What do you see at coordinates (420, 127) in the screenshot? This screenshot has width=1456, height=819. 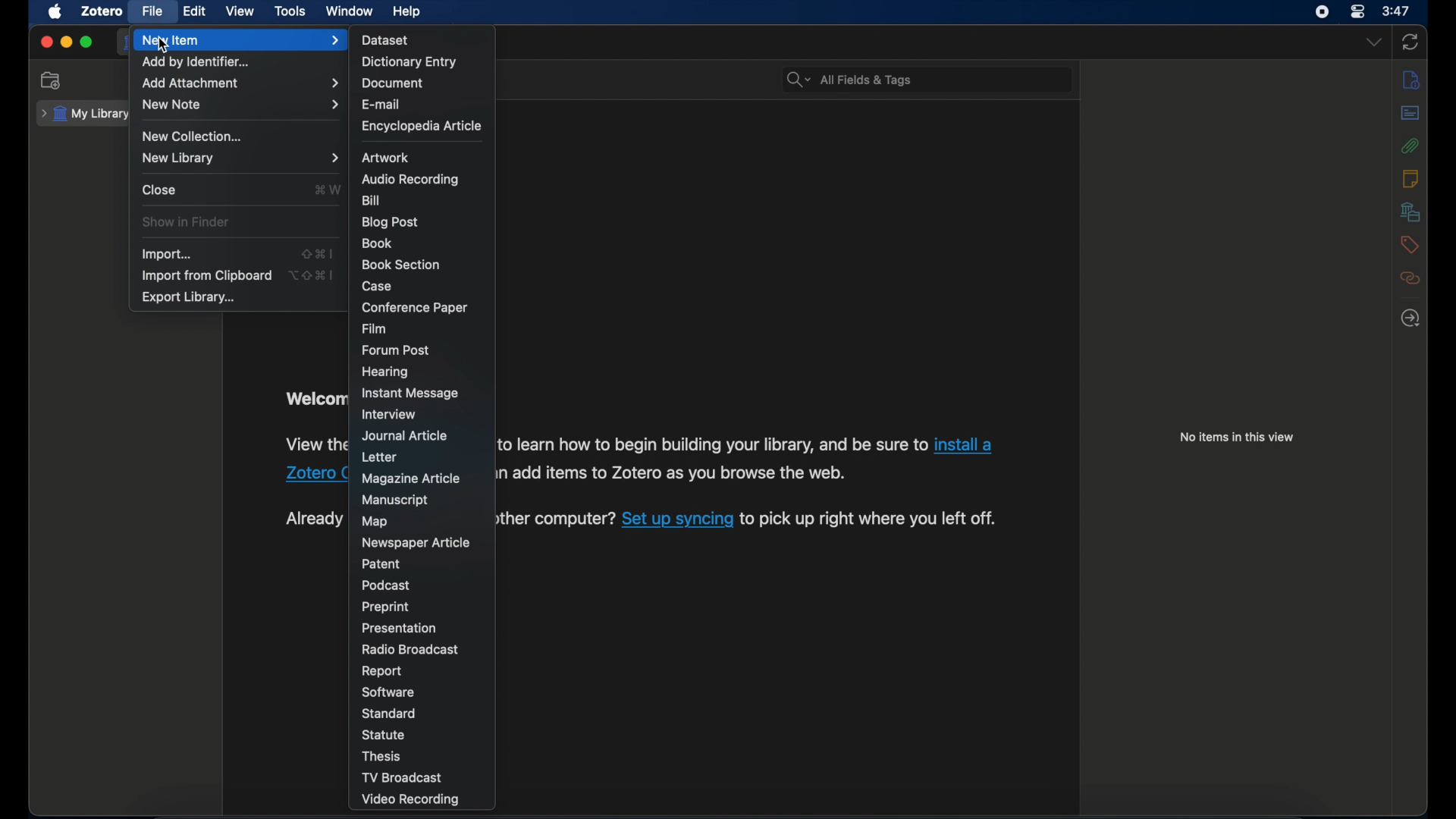 I see `encyclopedia article` at bounding box center [420, 127].